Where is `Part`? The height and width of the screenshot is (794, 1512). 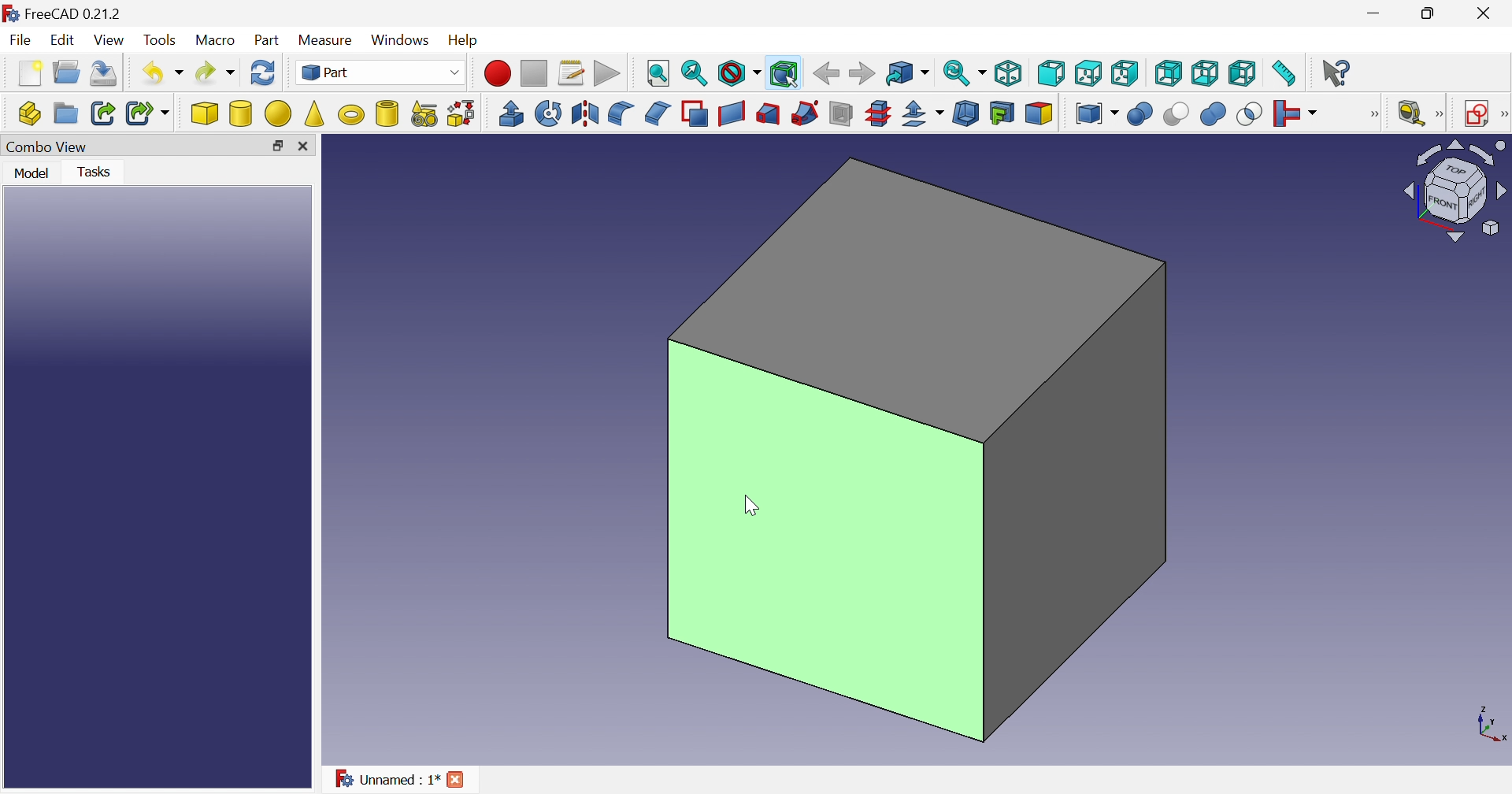
Part is located at coordinates (383, 74).